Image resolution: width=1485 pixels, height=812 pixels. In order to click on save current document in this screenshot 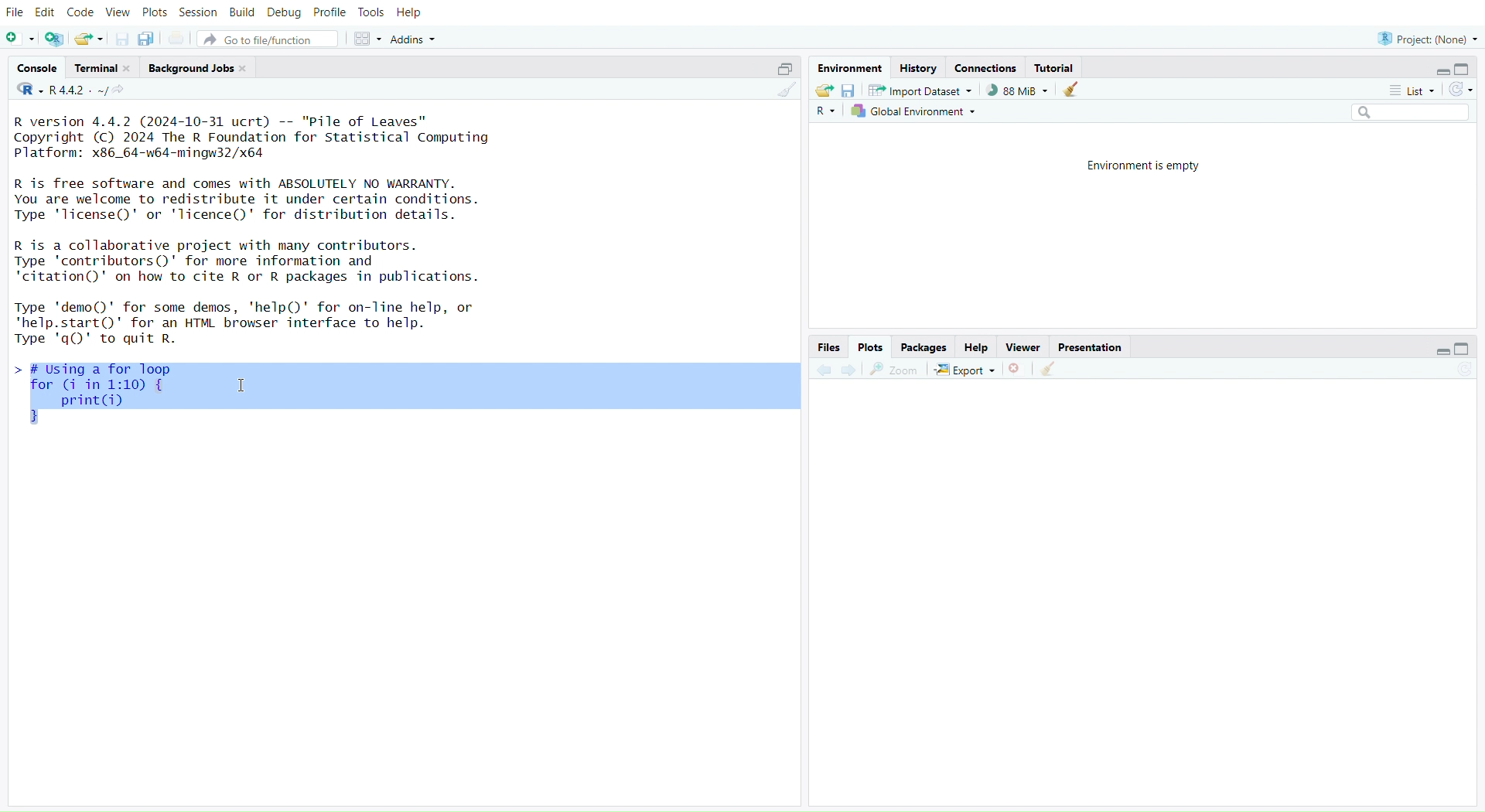, I will do `click(121, 39)`.